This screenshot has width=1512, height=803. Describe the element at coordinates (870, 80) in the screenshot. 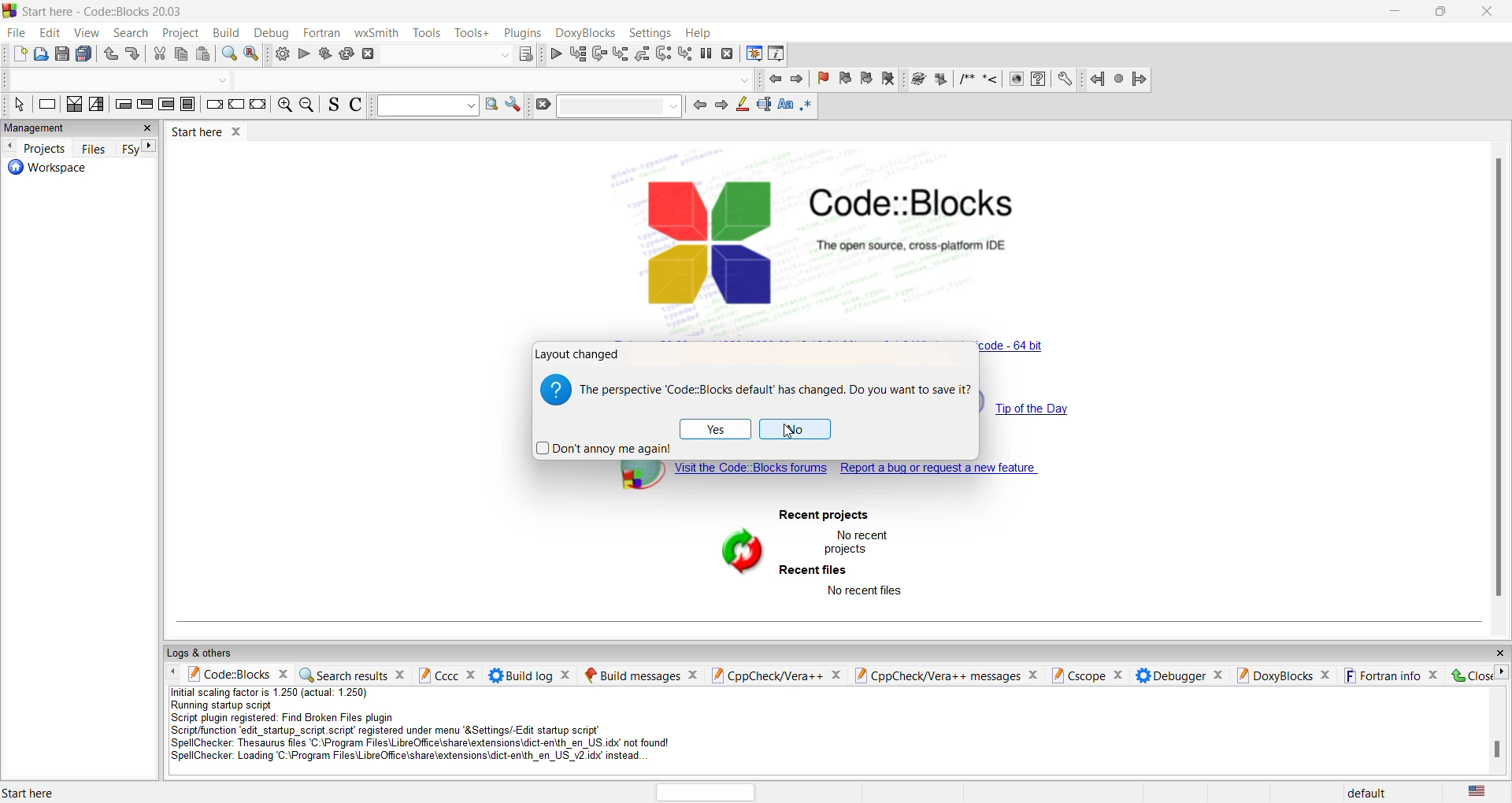

I see `next bookmark` at that location.